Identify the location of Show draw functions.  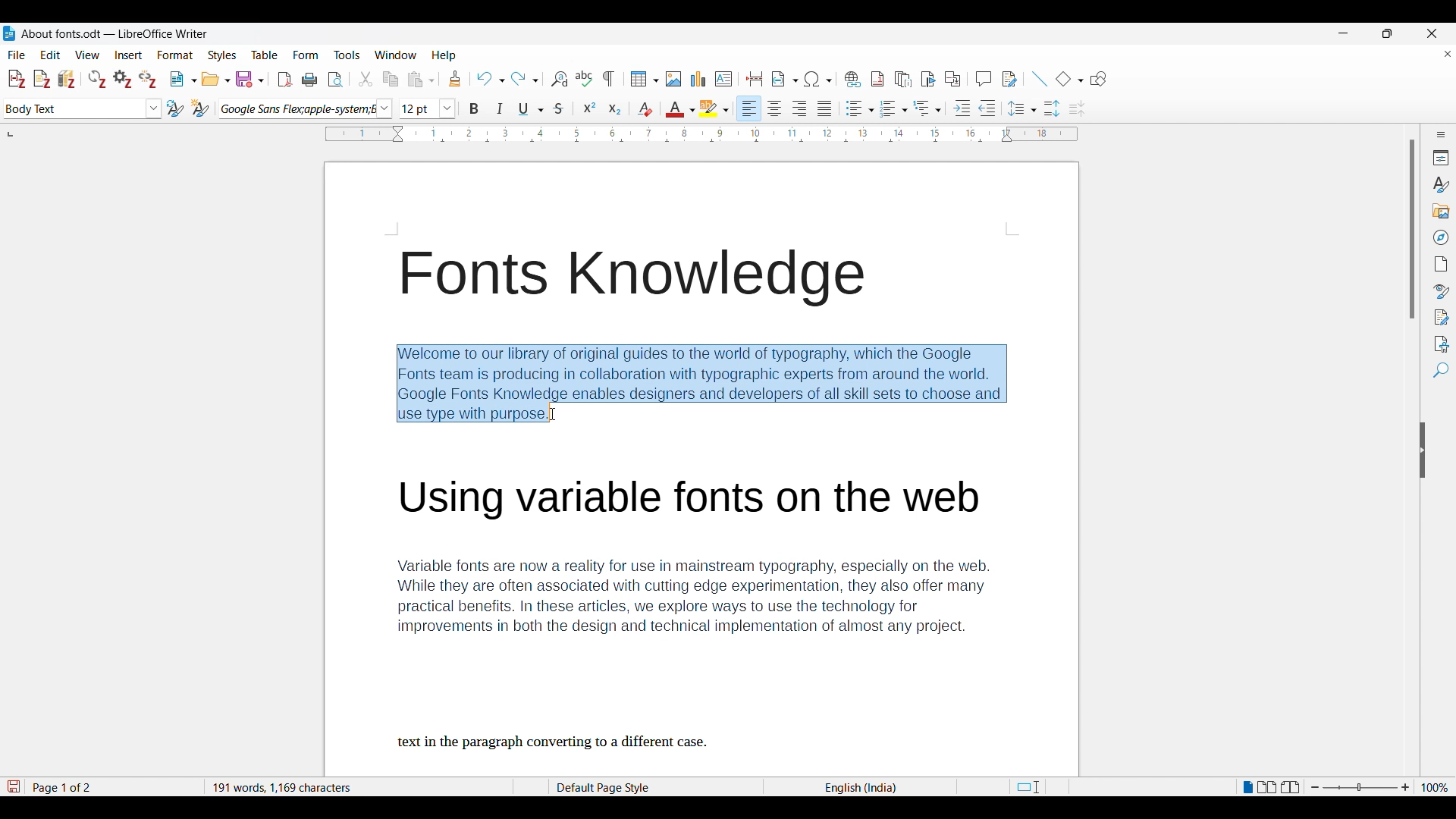
(1098, 79).